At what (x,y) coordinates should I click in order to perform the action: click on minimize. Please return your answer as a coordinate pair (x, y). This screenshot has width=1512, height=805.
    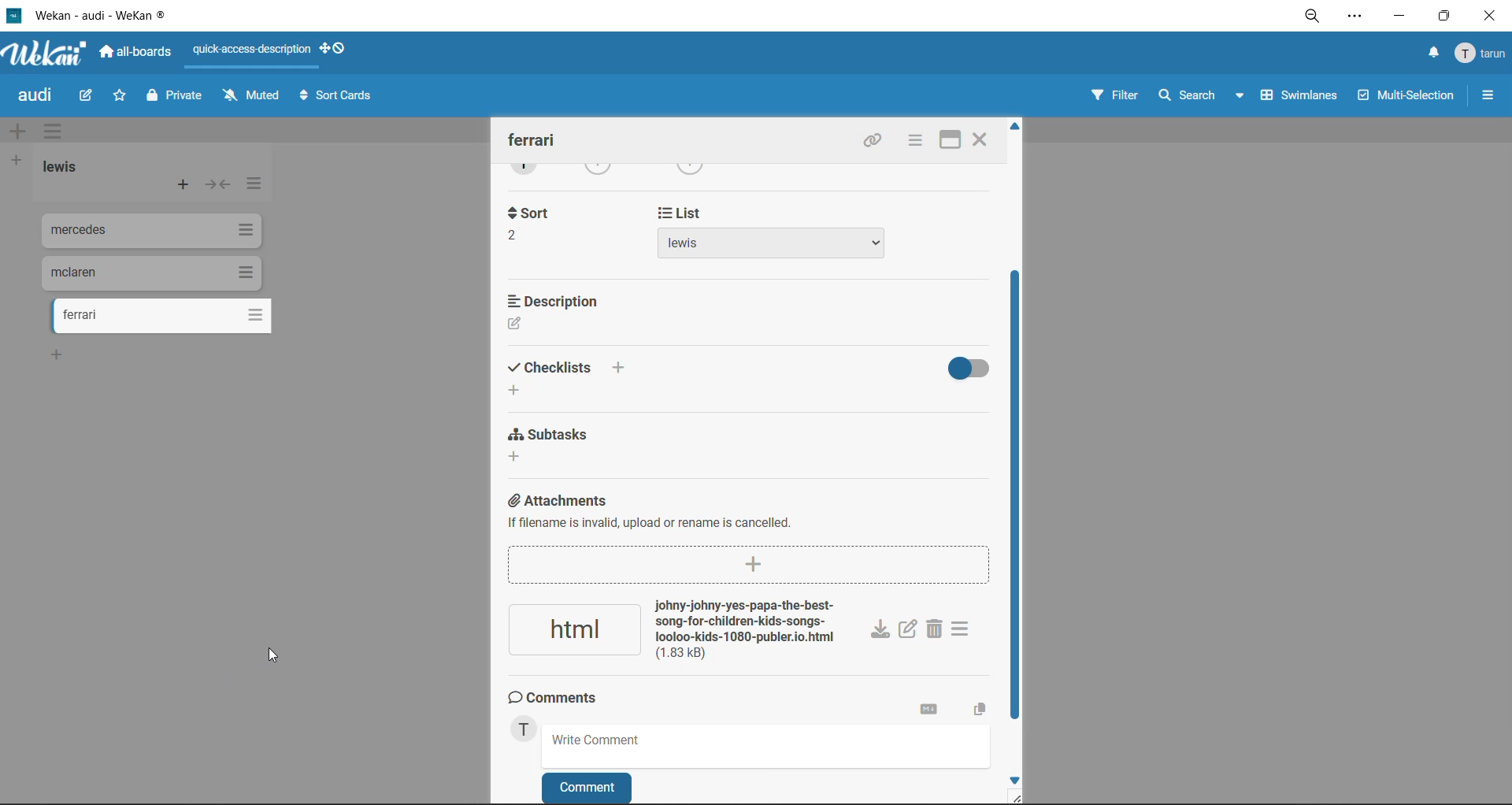
    Looking at the image, I should click on (1398, 17).